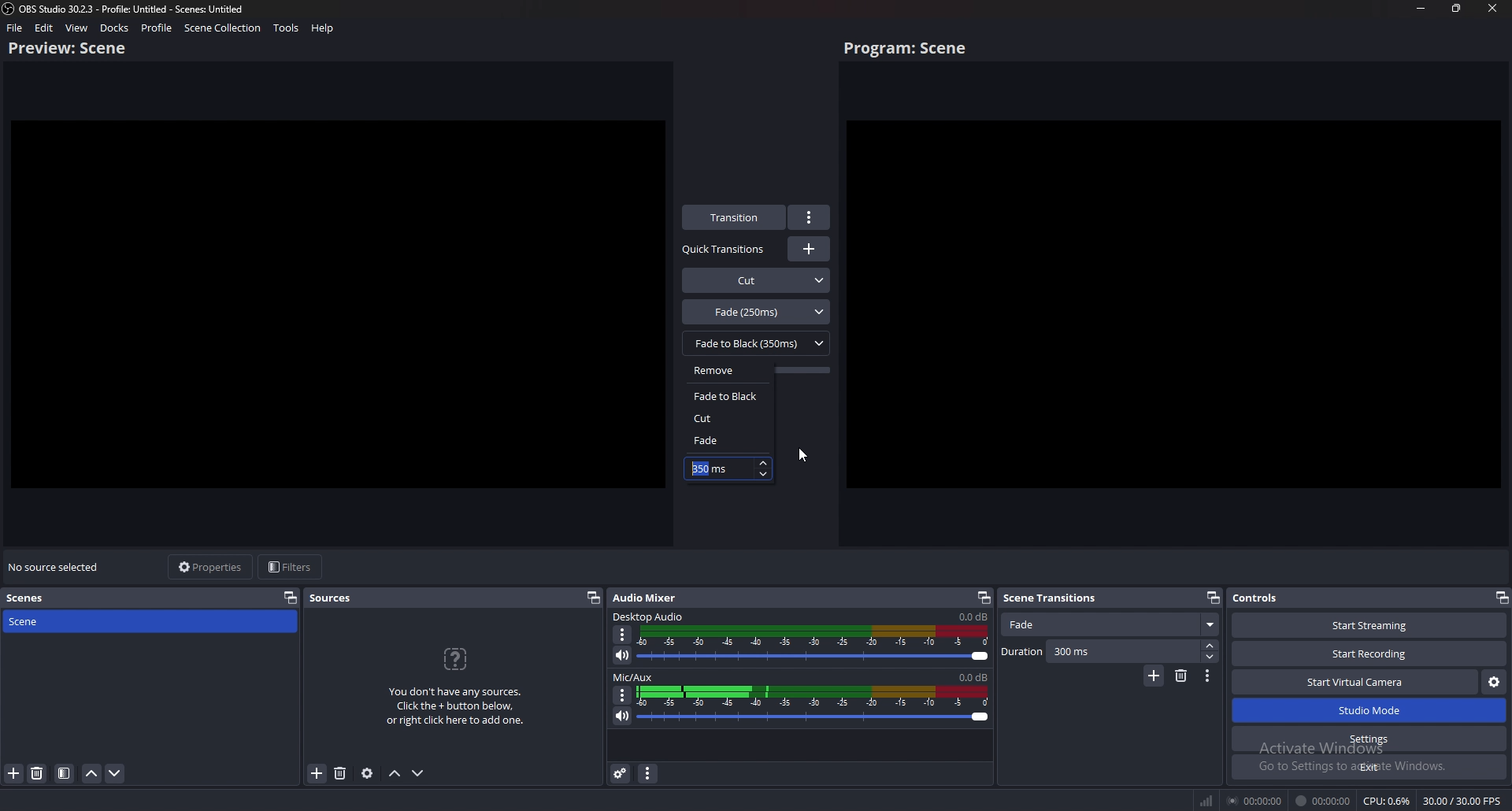 Image resolution: width=1512 pixels, height=811 pixels. Describe the element at coordinates (158, 28) in the screenshot. I see `profile` at that location.